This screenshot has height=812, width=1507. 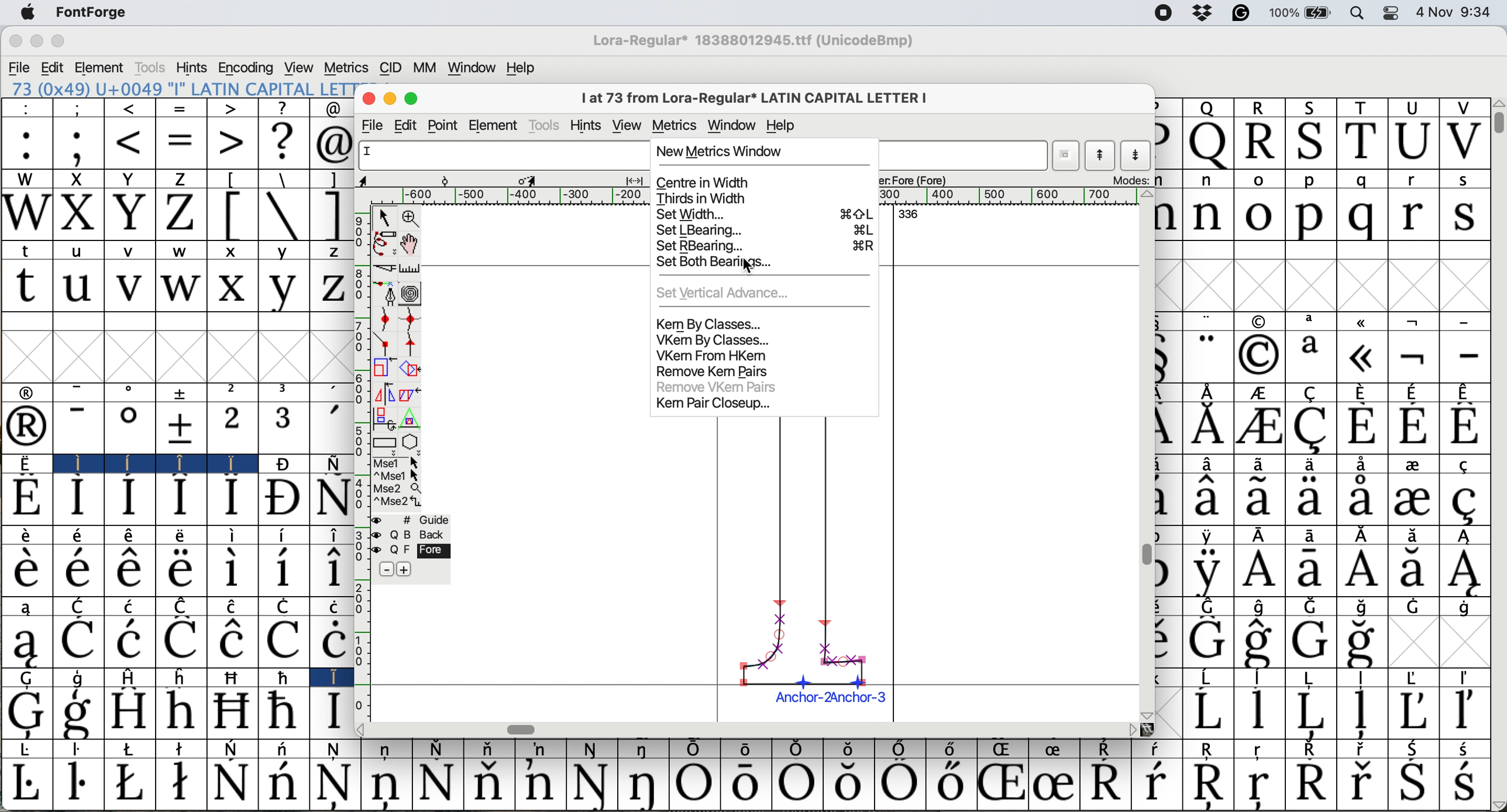 I want to click on vertical scroll bar, so click(x=1147, y=553).